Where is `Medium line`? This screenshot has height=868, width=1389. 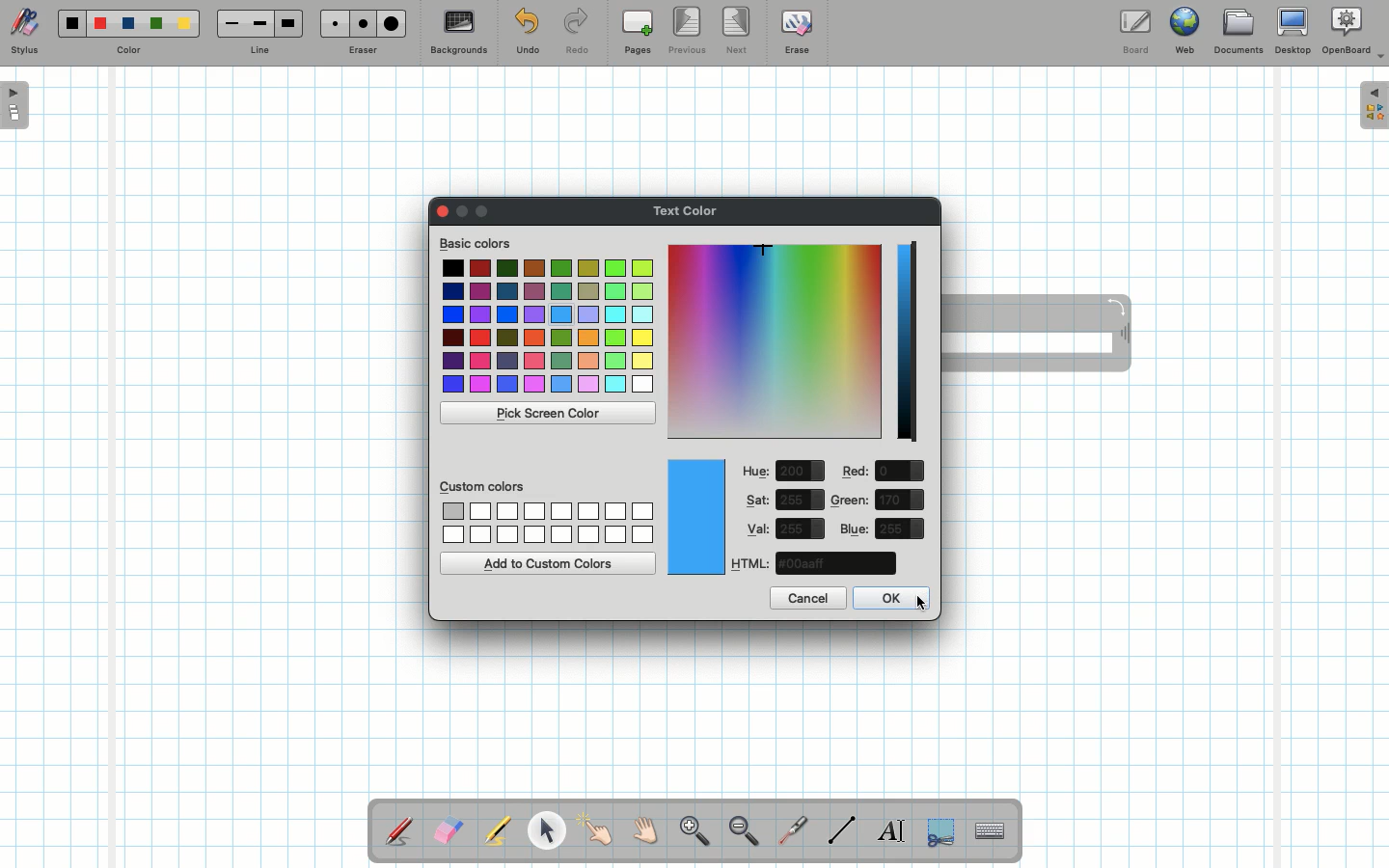
Medium line is located at coordinates (259, 23).